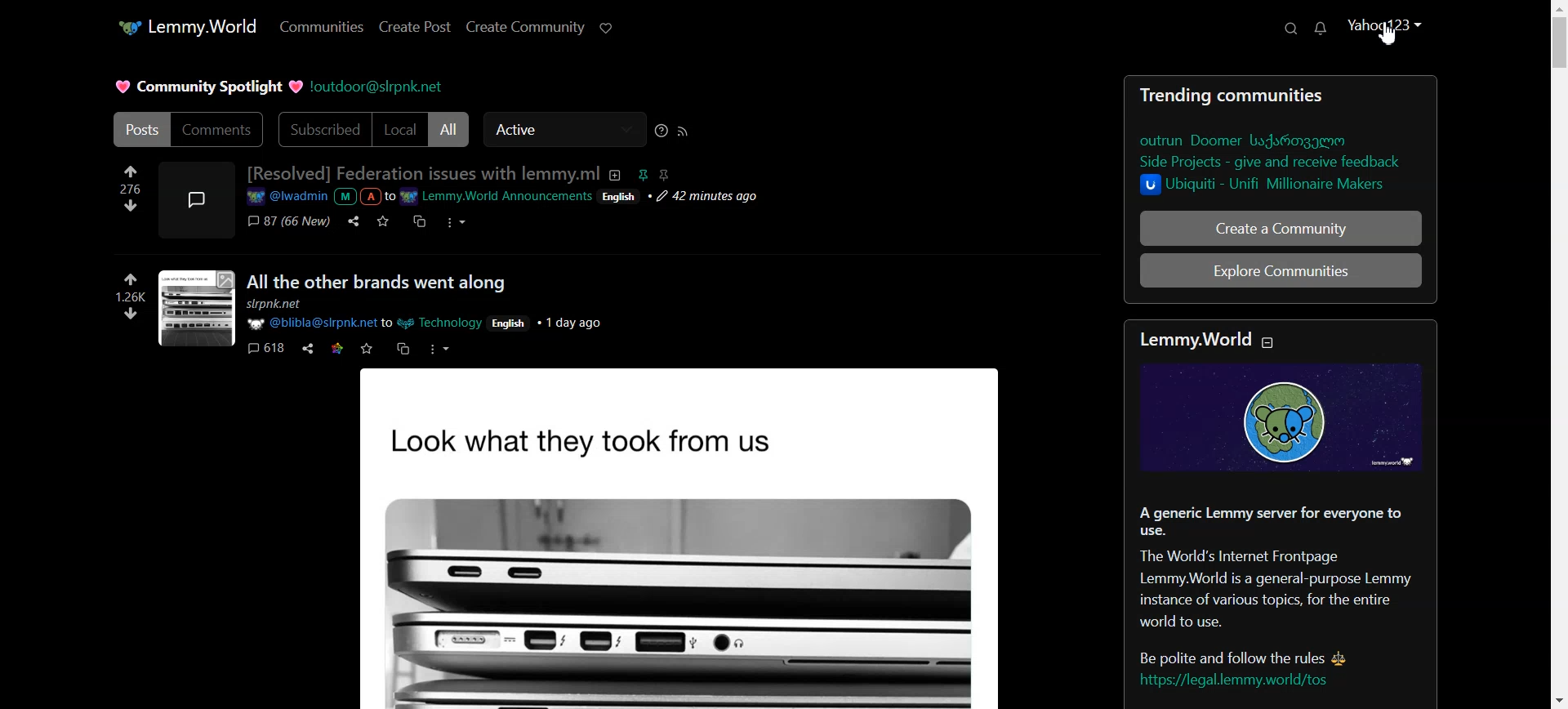 The image size is (1568, 709). What do you see at coordinates (364, 197) in the screenshot?
I see `M A to` at bounding box center [364, 197].